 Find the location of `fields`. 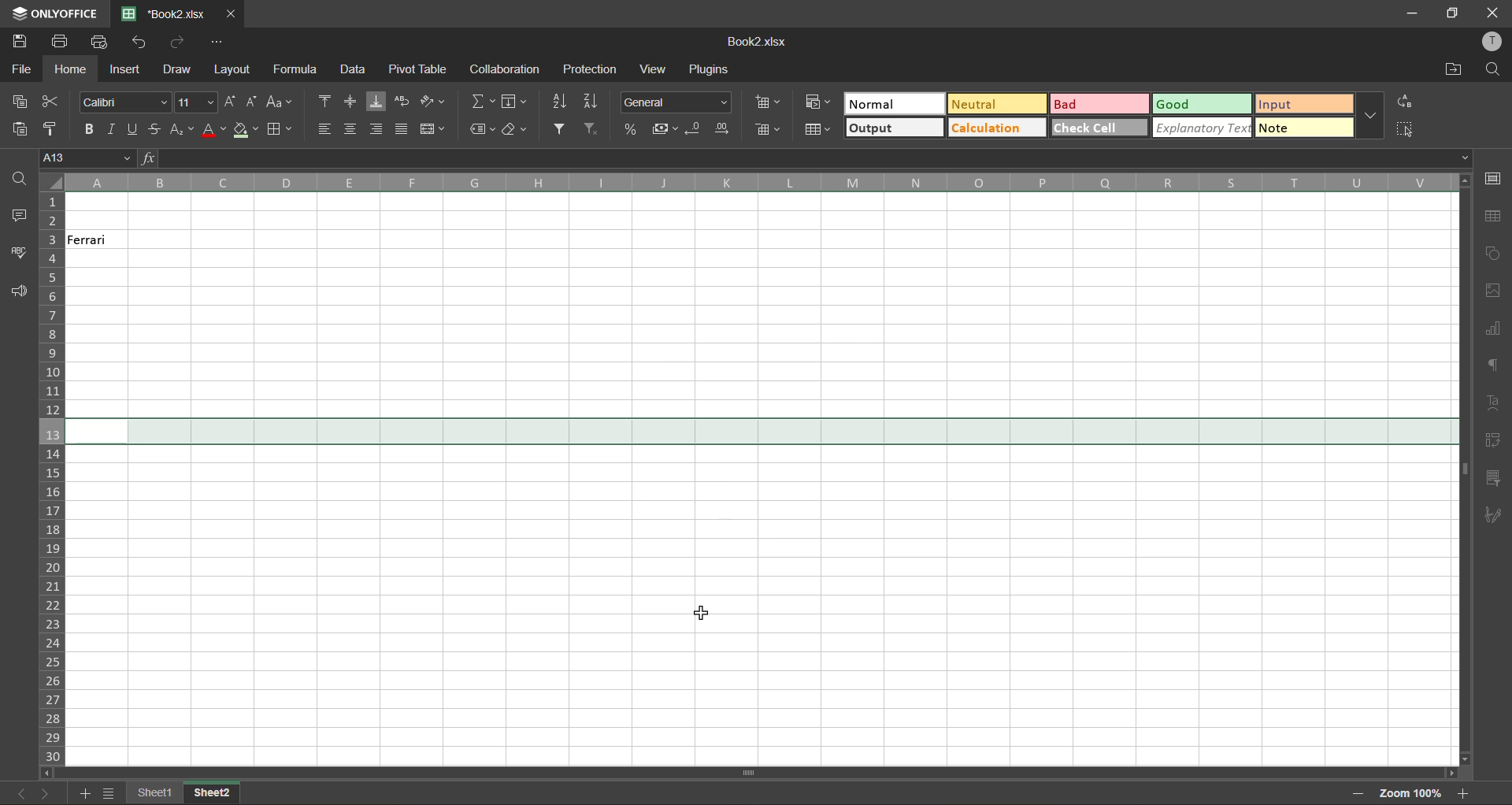

fields is located at coordinates (514, 103).